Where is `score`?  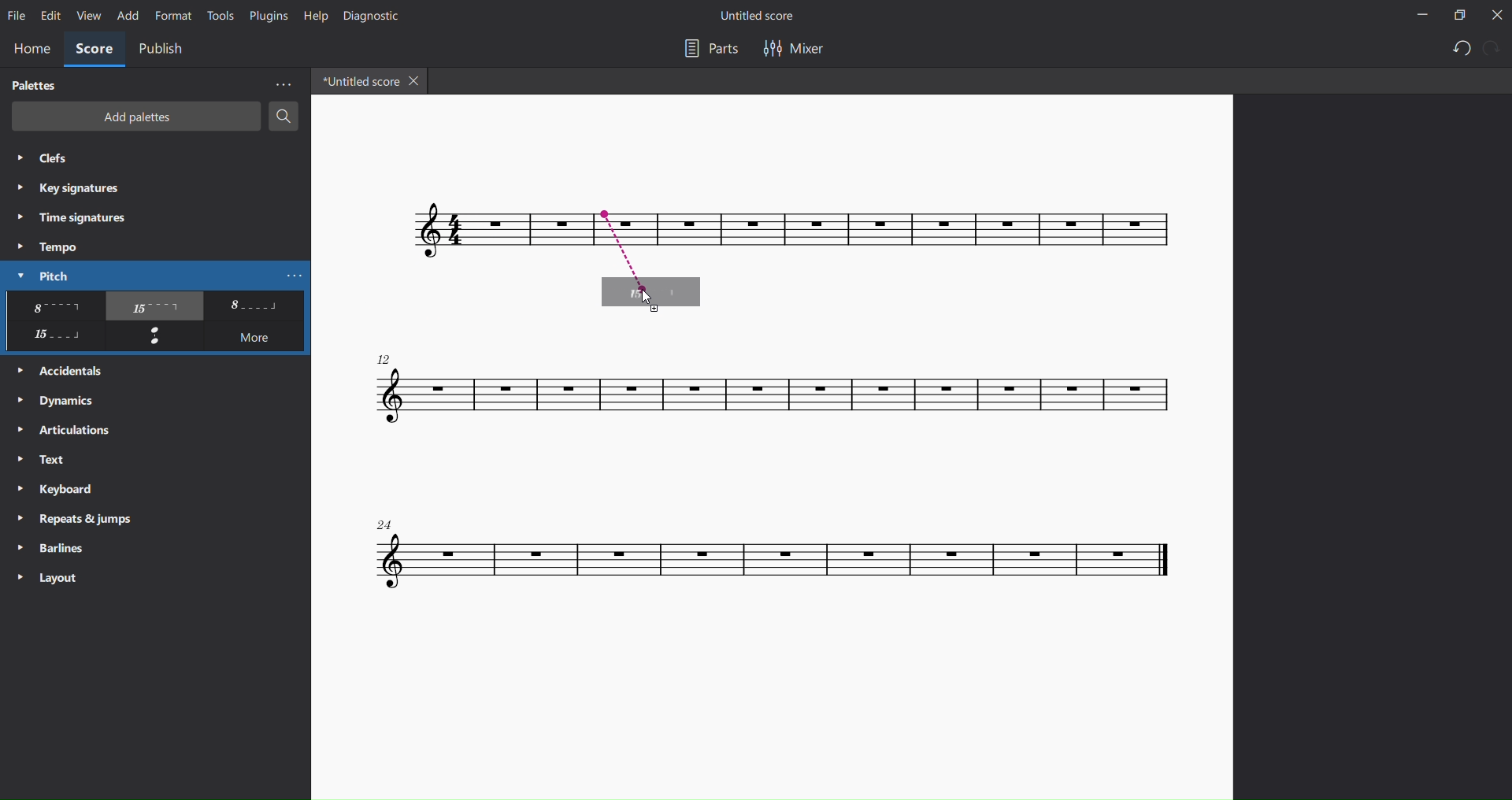
score is located at coordinates (1062, 231).